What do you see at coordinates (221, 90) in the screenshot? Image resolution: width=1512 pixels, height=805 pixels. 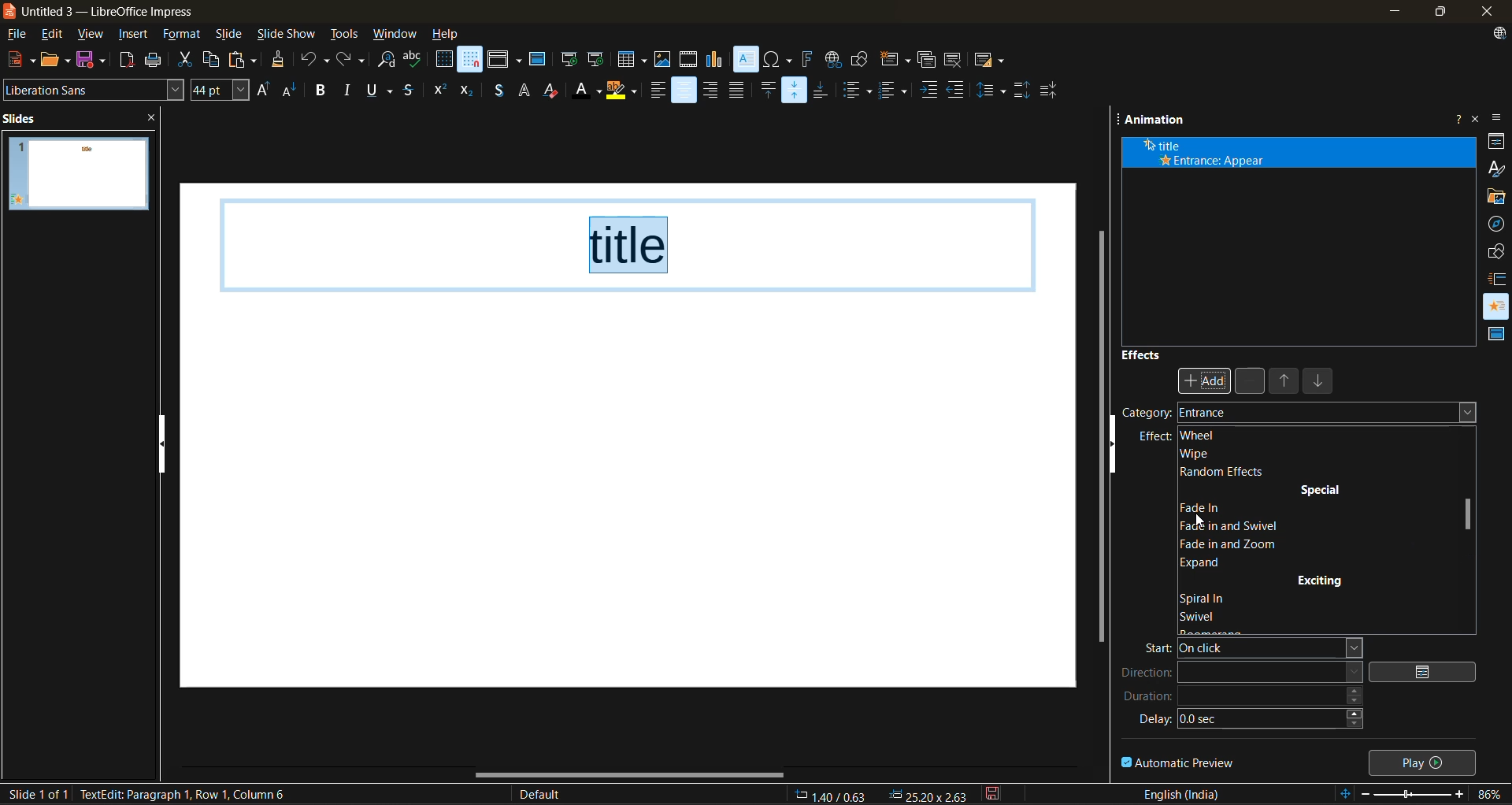 I see `font size` at bounding box center [221, 90].